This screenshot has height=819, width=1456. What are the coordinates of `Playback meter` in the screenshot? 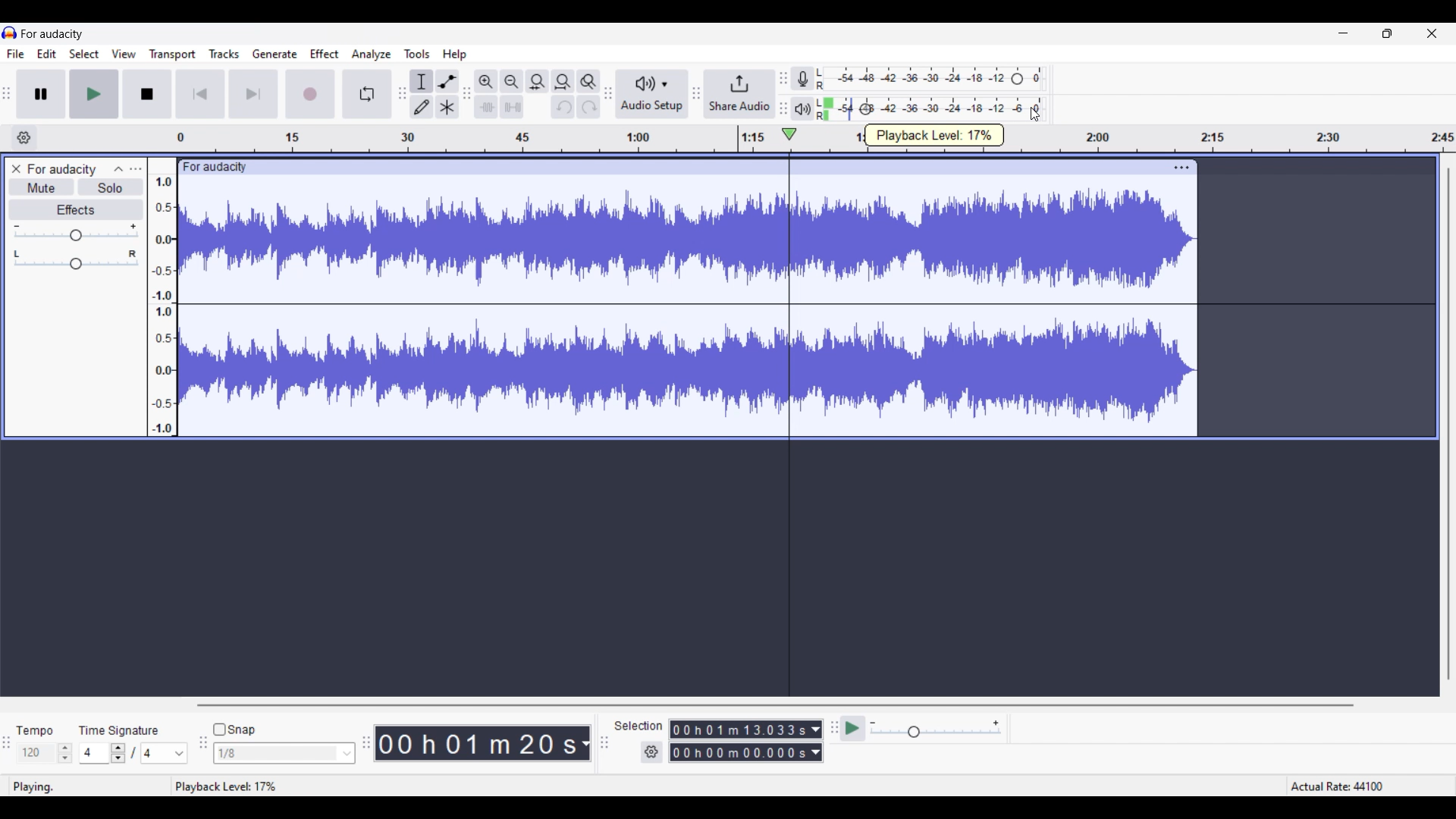 It's located at (802, 108).